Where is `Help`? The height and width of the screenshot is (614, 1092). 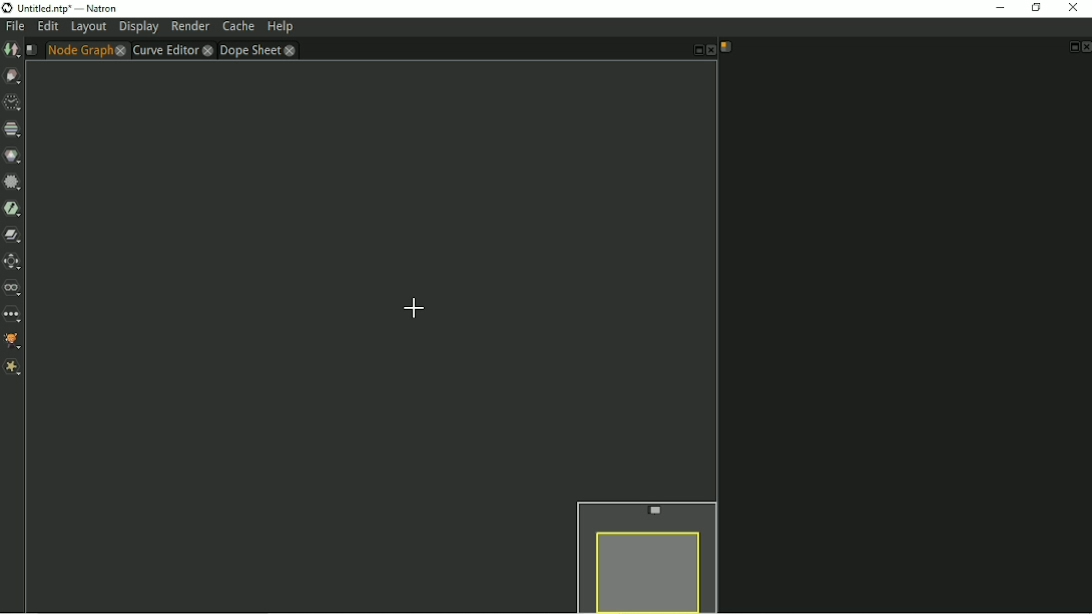 Help is located at coordinates (279, 27).